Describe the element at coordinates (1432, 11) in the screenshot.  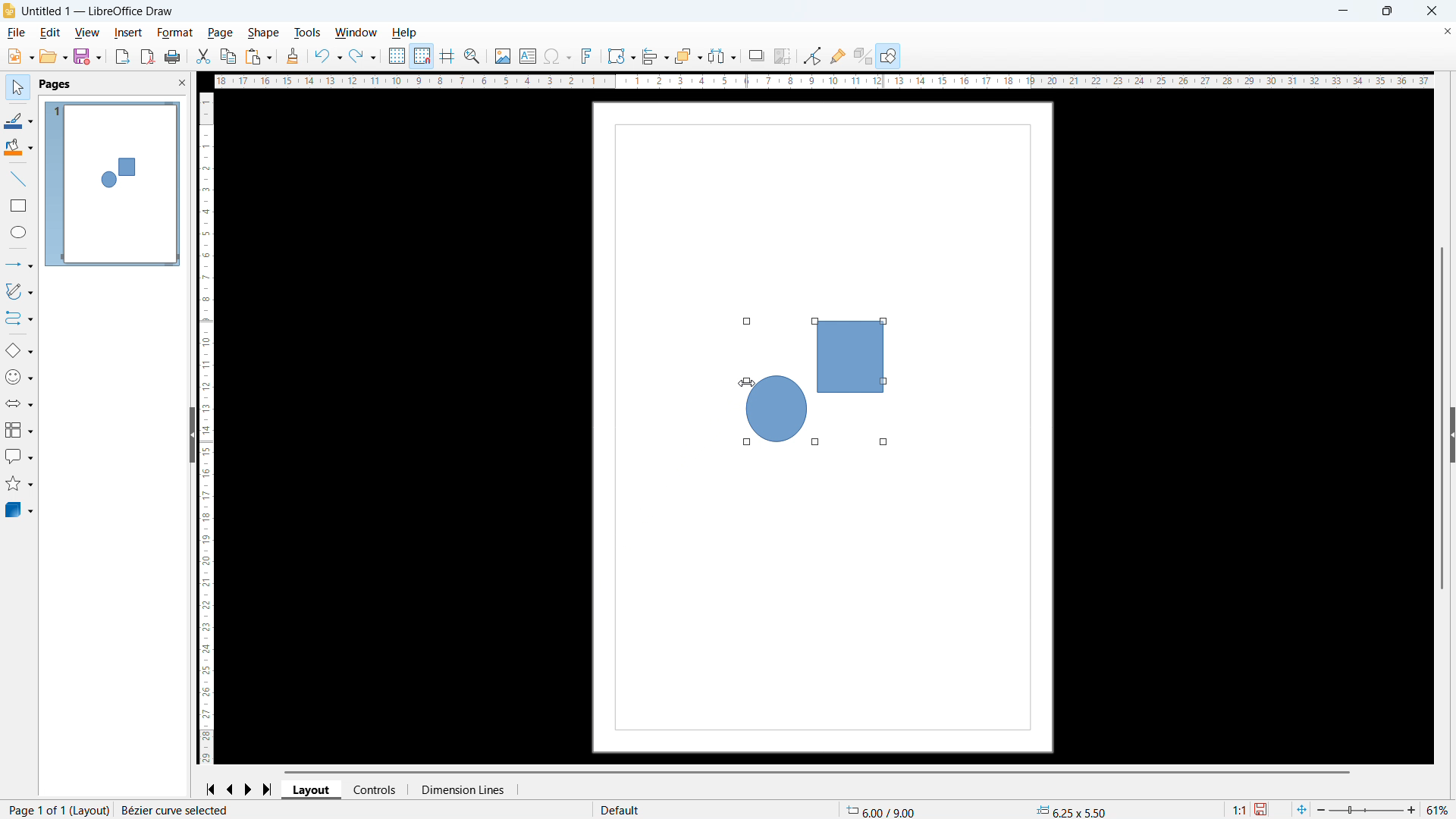
I see `Close ` at that location.